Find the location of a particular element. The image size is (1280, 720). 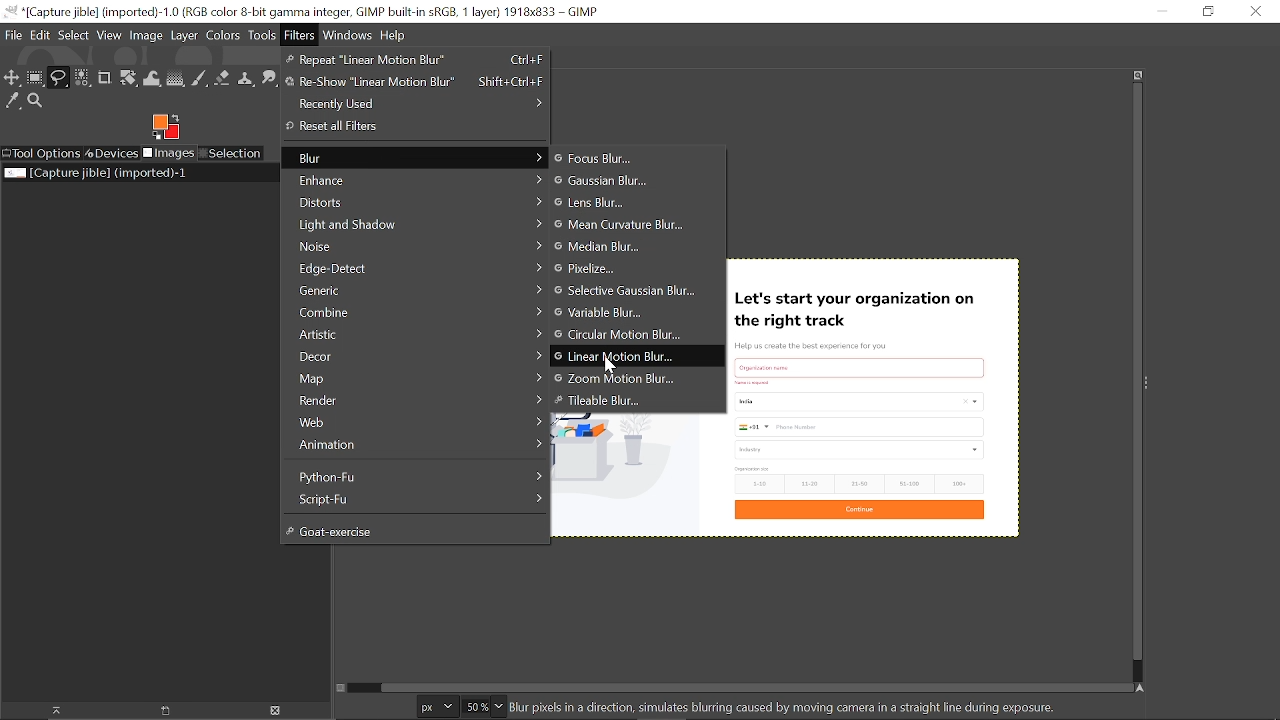

Clone tool is located at coordinates (245, 80).